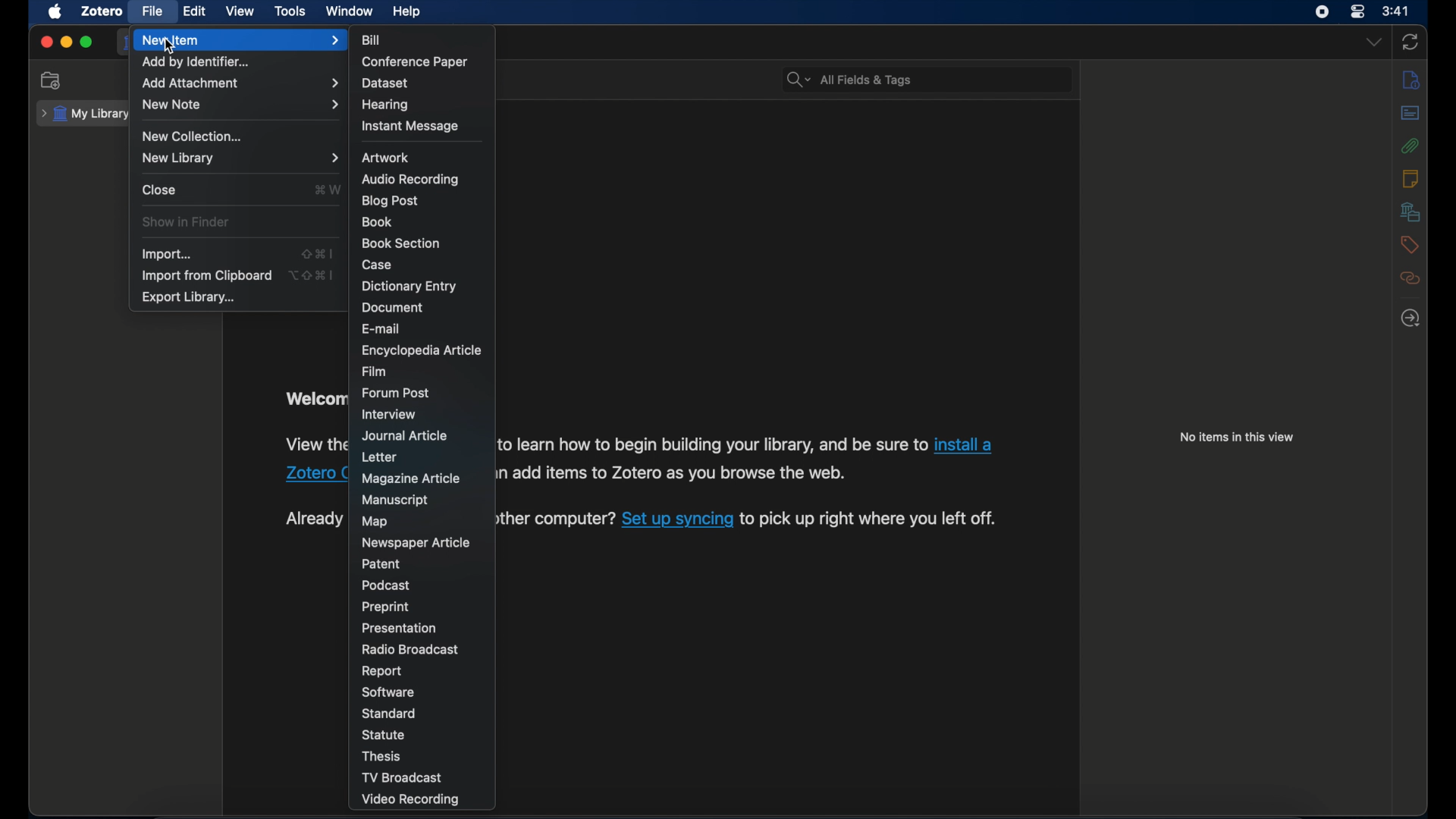  Describe the element at coordinates (400, 243) in the screenshot. I see `book section` at that location.